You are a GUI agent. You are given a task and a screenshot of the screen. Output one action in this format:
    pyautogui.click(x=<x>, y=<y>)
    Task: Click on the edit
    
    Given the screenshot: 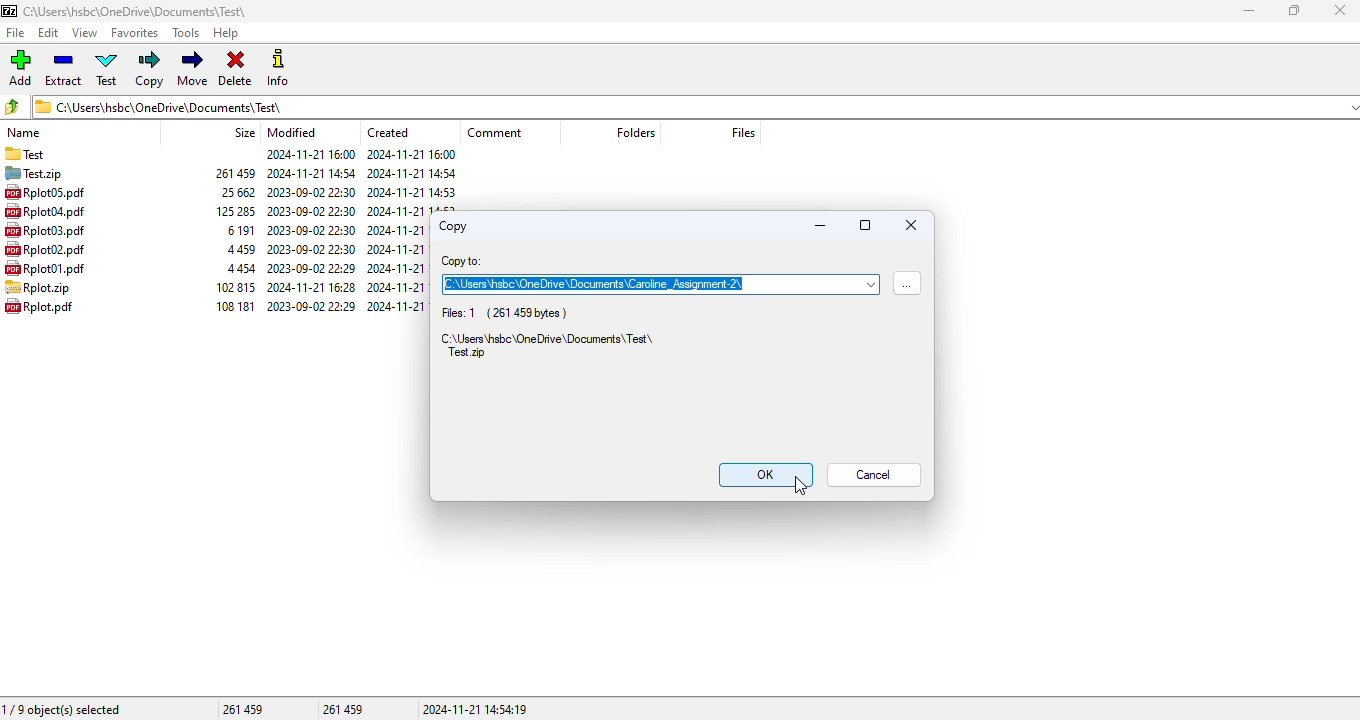 What is the action you would take?
    pyautogui.click(x=48, y=32)
    